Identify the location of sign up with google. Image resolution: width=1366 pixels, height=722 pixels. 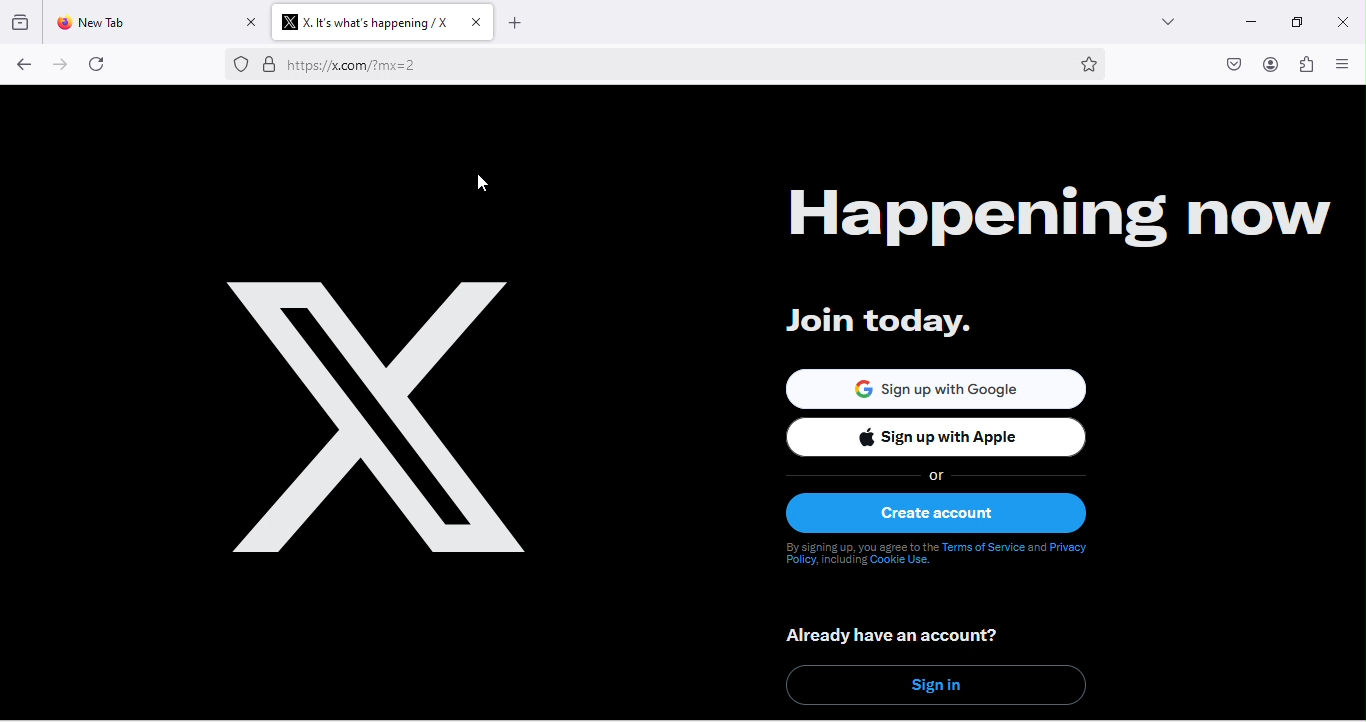
(935, 384).